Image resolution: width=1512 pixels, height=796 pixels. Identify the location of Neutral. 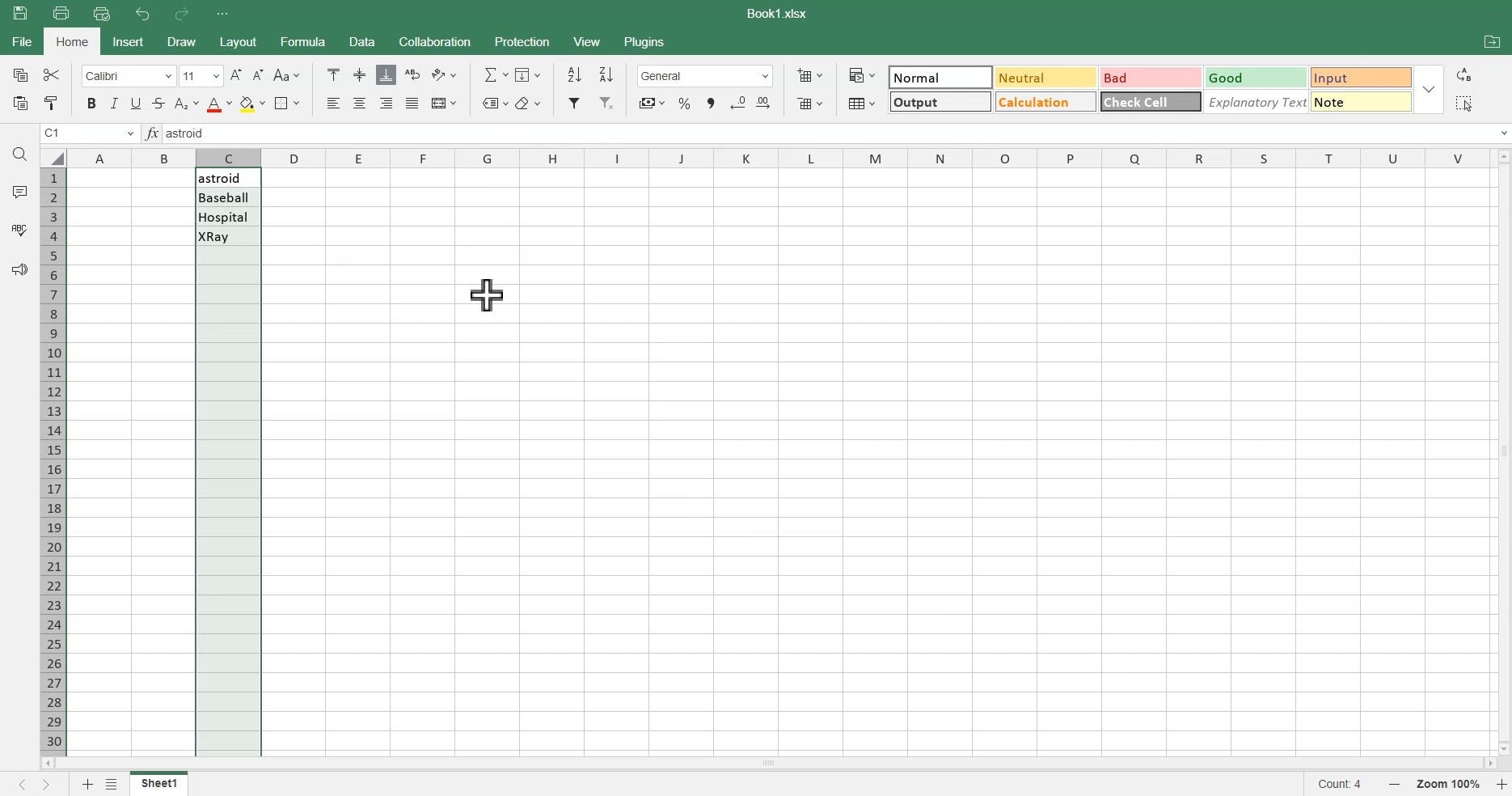
(1042, 77).